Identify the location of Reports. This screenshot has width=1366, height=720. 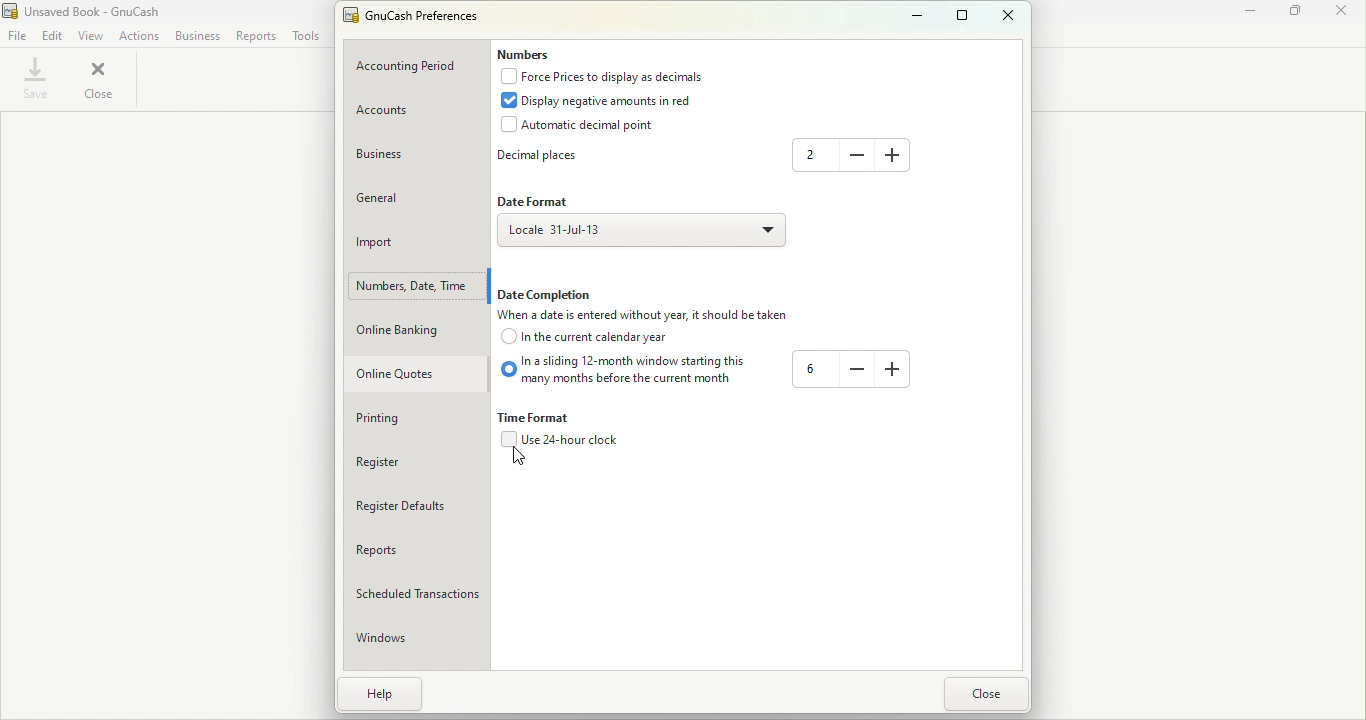
(405, 545).